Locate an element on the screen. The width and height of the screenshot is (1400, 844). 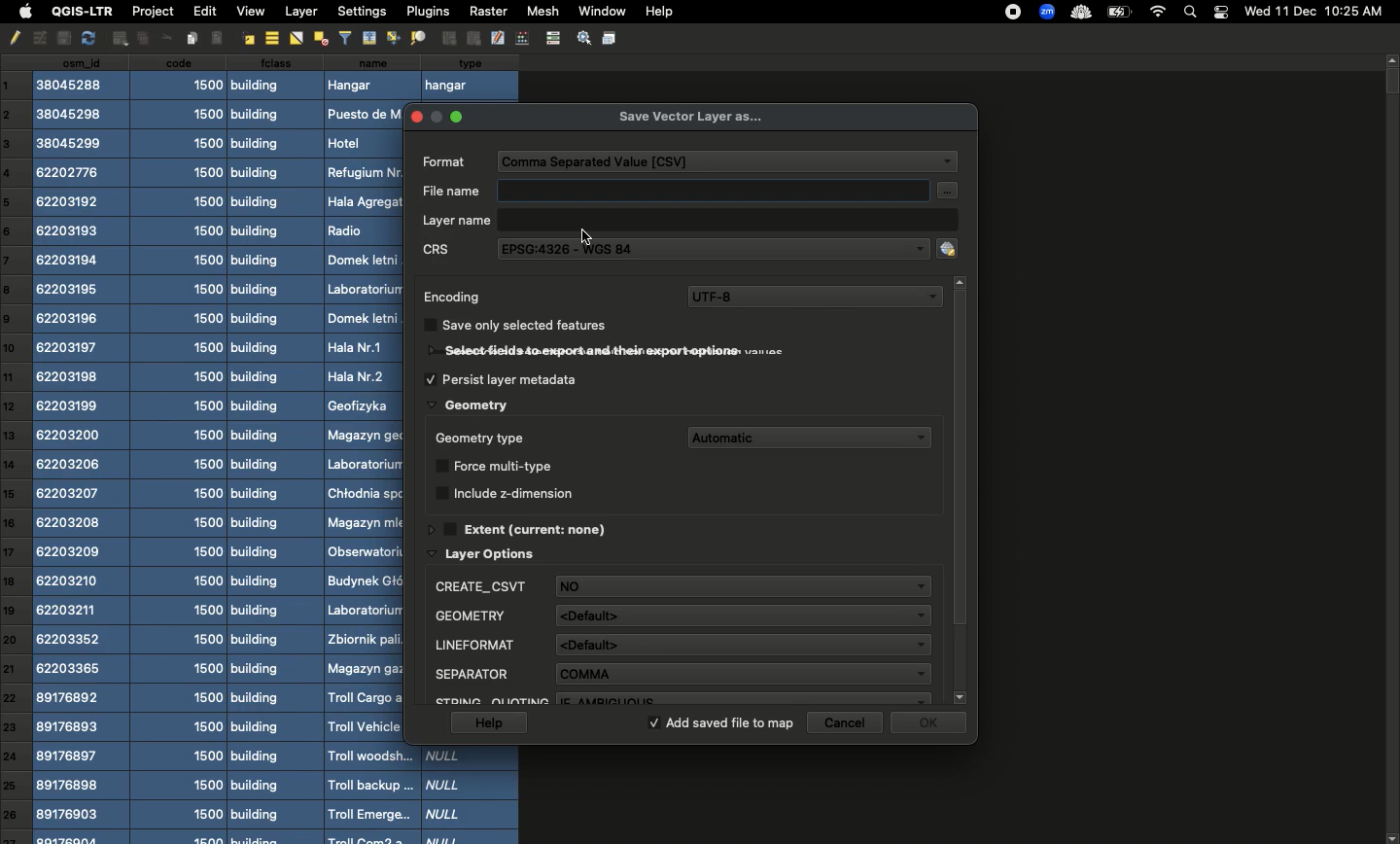
Date time is located at coordinates (1313, 11).